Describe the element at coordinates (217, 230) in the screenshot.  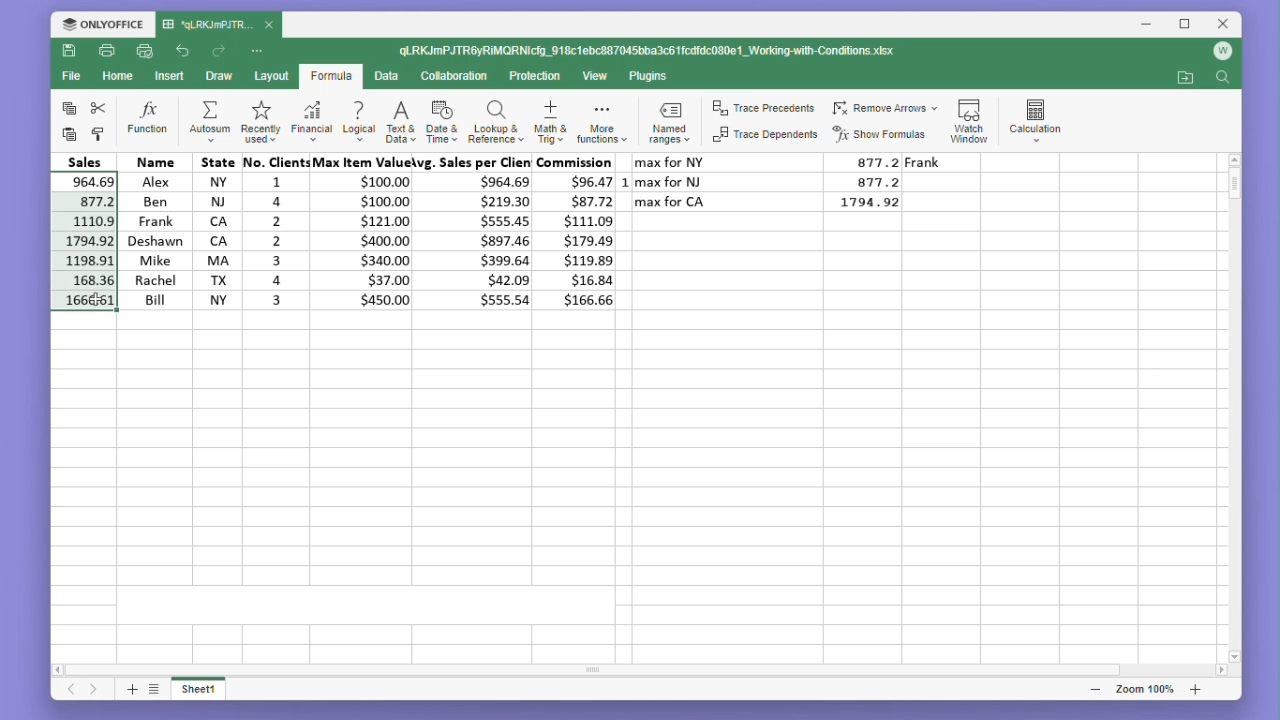
I see `State` at that location.